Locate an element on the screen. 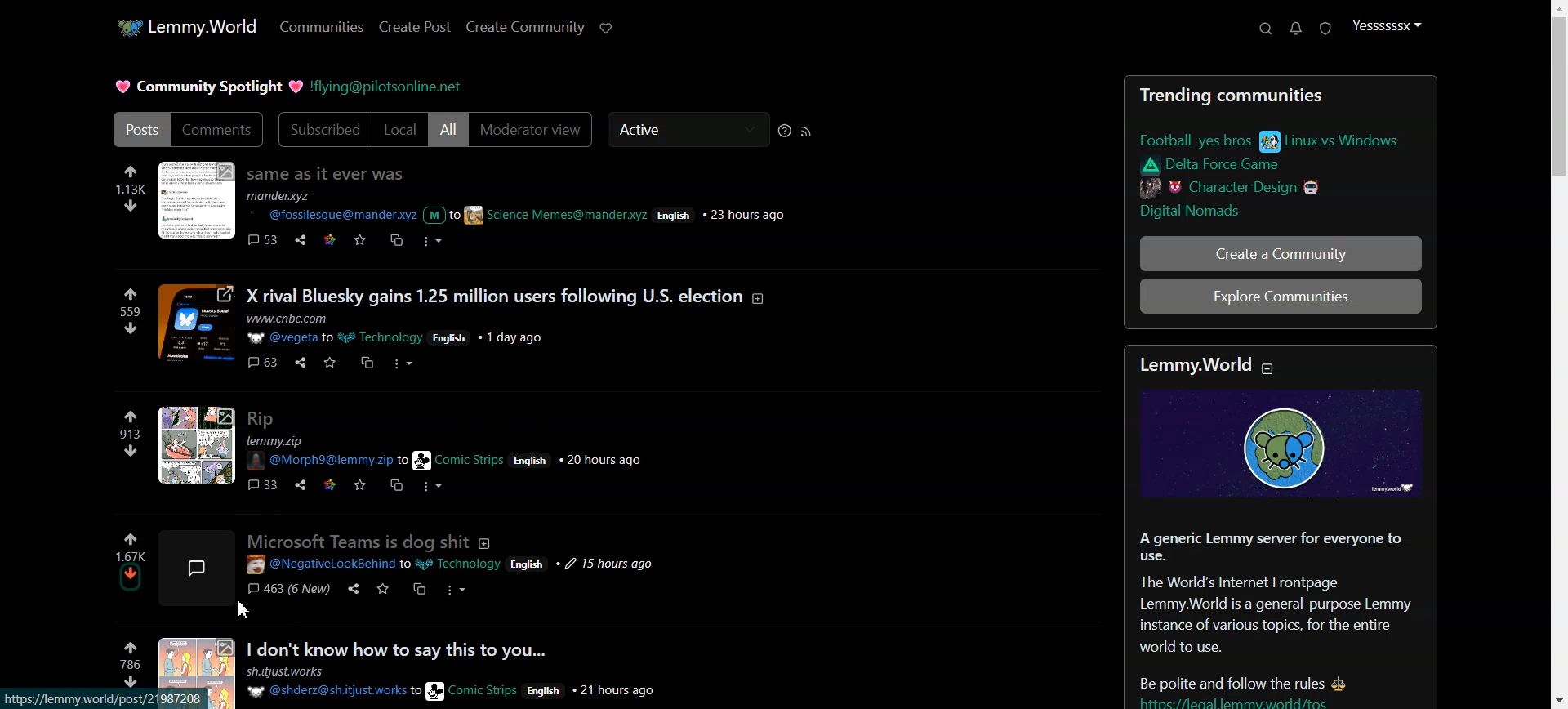 The height and width of the screenshot is (709, 1568). Text is located at coordinates (358, 541).